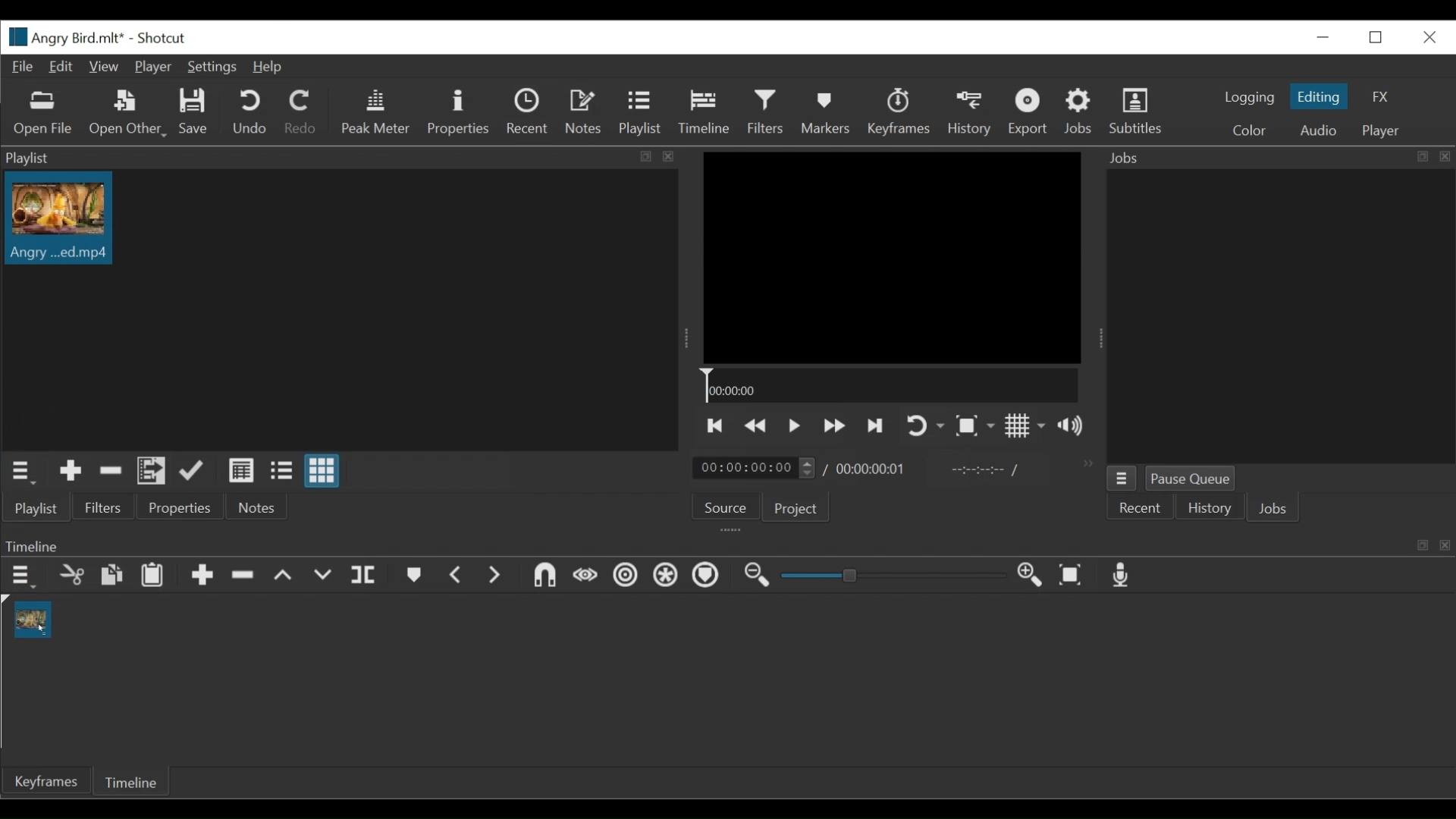 This screenshot has width=1456, height=819. What do you see at coordinates (283, 470) in the screenshot?
I see `View as files` at bounding box center [283, 470].